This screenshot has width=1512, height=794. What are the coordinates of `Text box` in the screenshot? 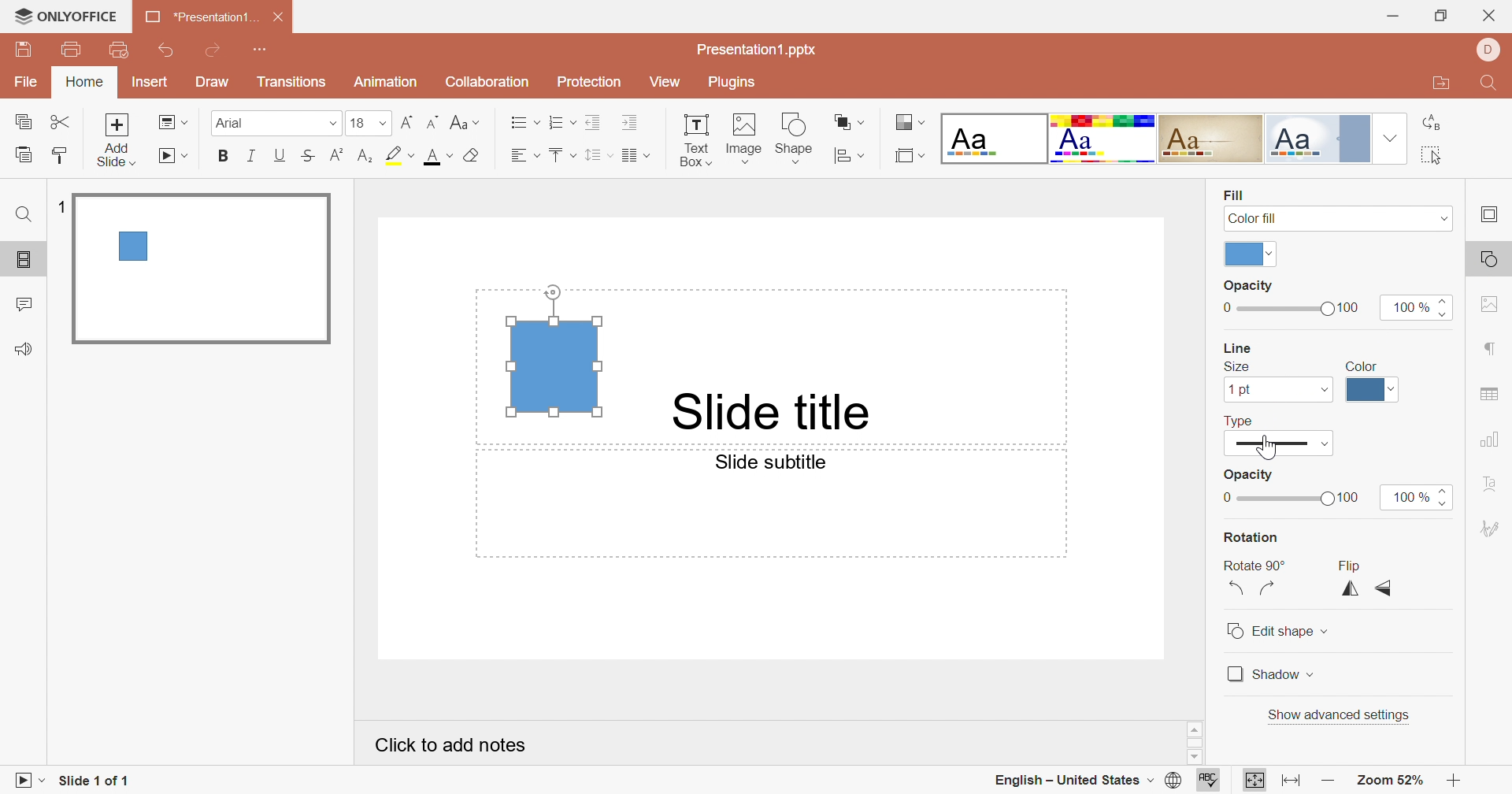 It's located at (551, 352).